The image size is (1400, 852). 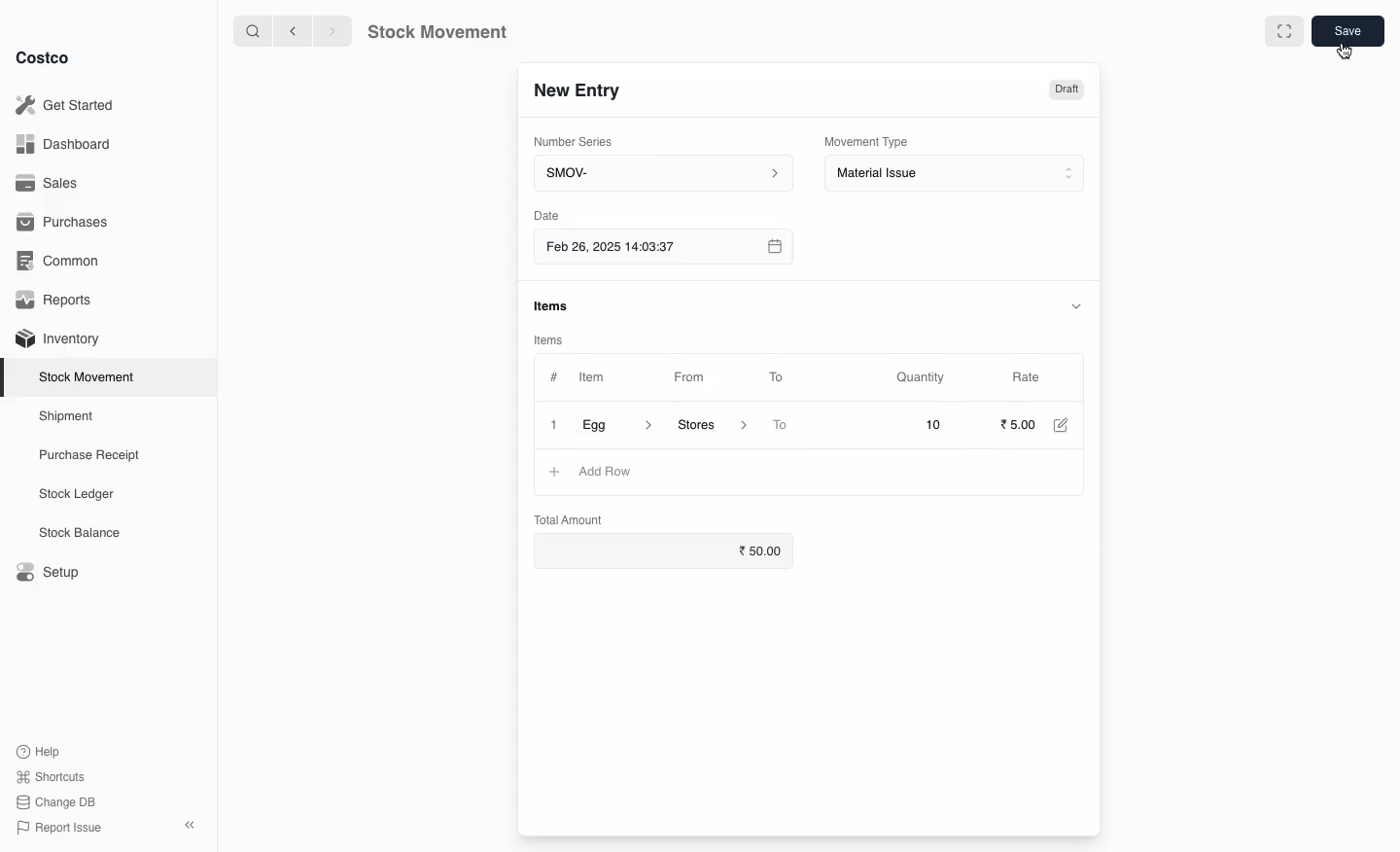 What do you see at coordinates (696, 380) in the screenshot?
I see `From` at bounding box center [696, 380].